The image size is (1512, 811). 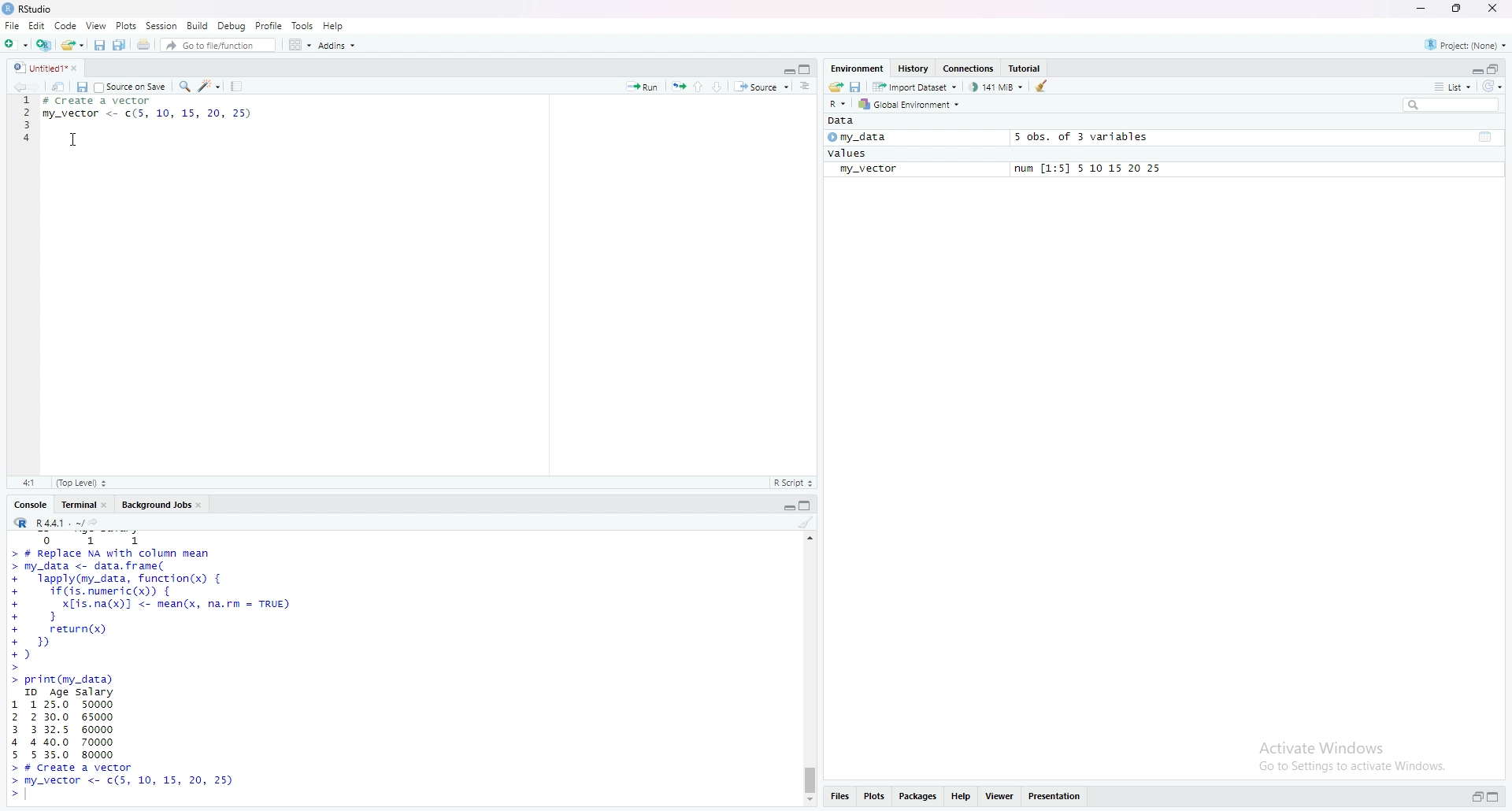 I want to click on cursor, so click(x=72, y=139).